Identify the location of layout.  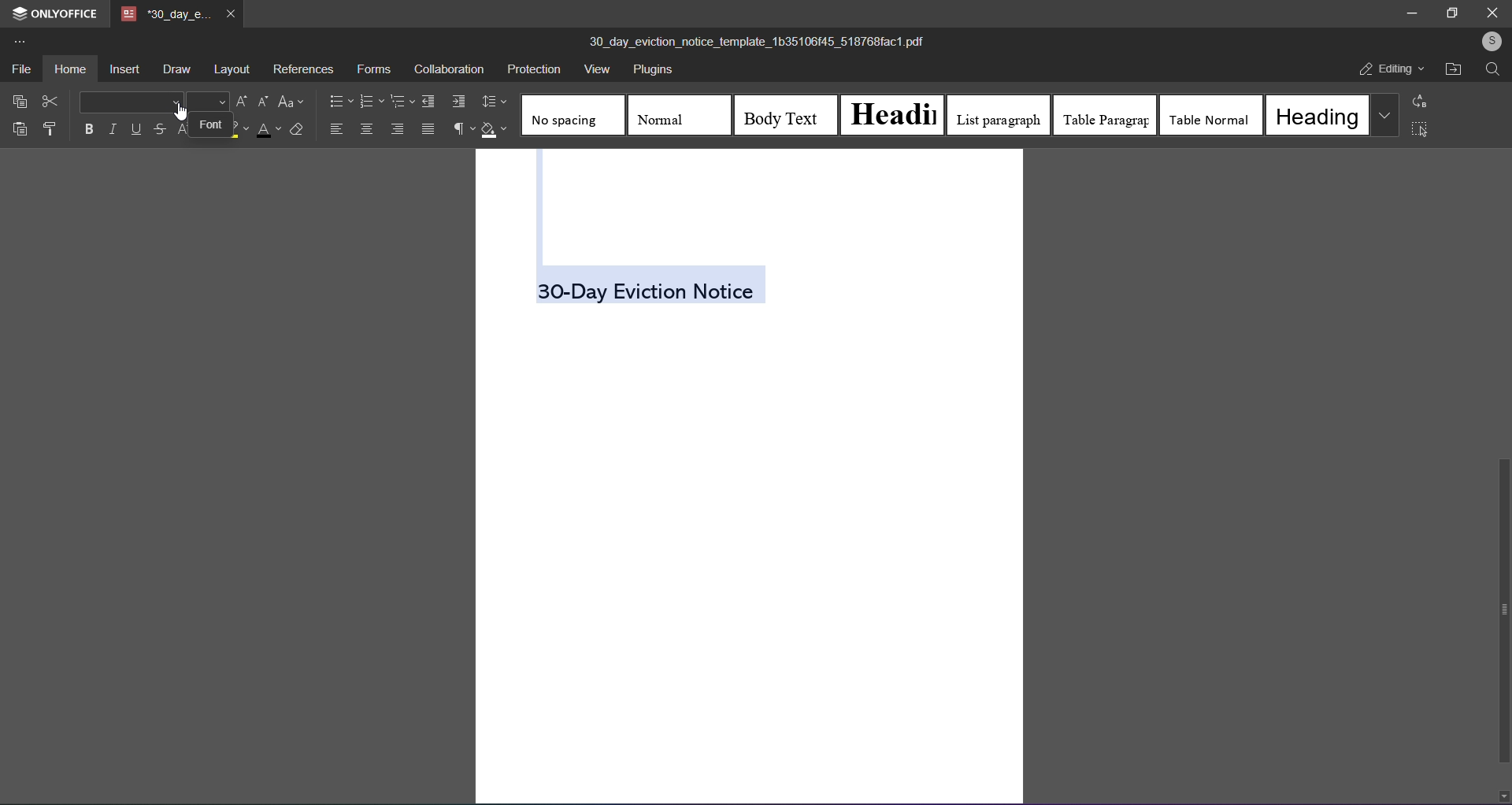
(230, 70).